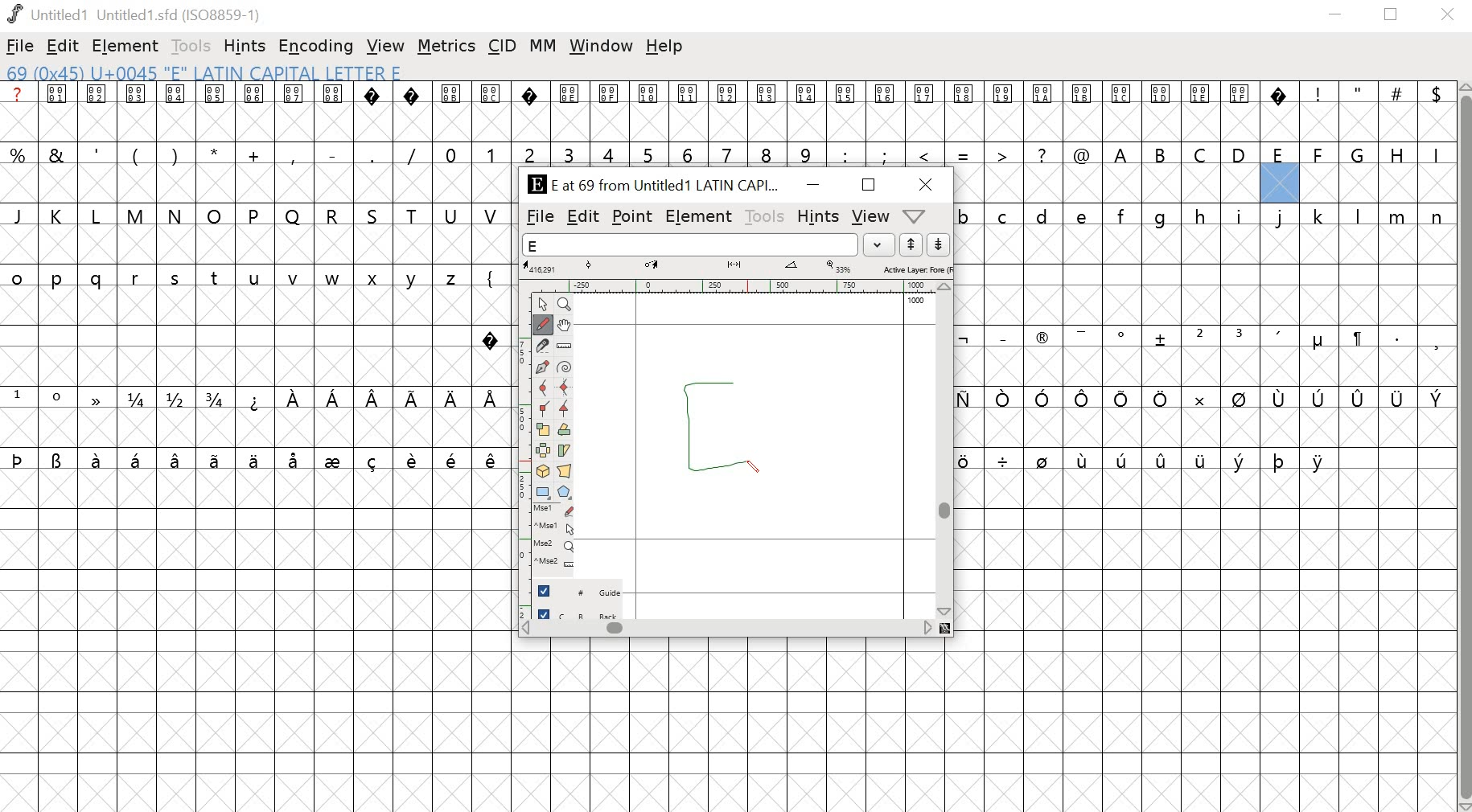  What do you see at coordinates (1463, 446) in the screenshot?
I see `scrollbar` at bounding box center [1463, 446].